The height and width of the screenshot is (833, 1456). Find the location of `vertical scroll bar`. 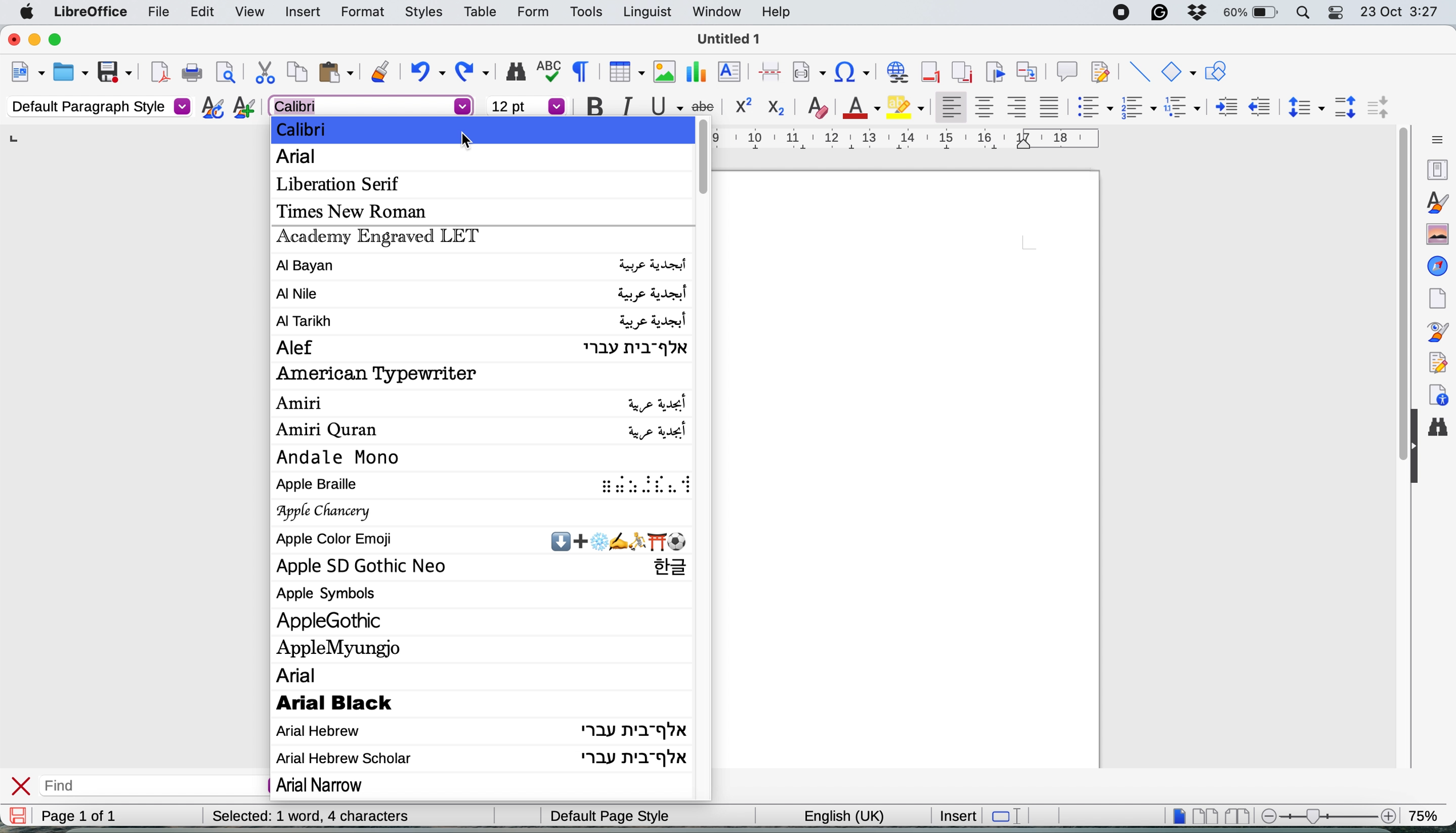

vertical scroll bar is located at coordinates (1398, 265).